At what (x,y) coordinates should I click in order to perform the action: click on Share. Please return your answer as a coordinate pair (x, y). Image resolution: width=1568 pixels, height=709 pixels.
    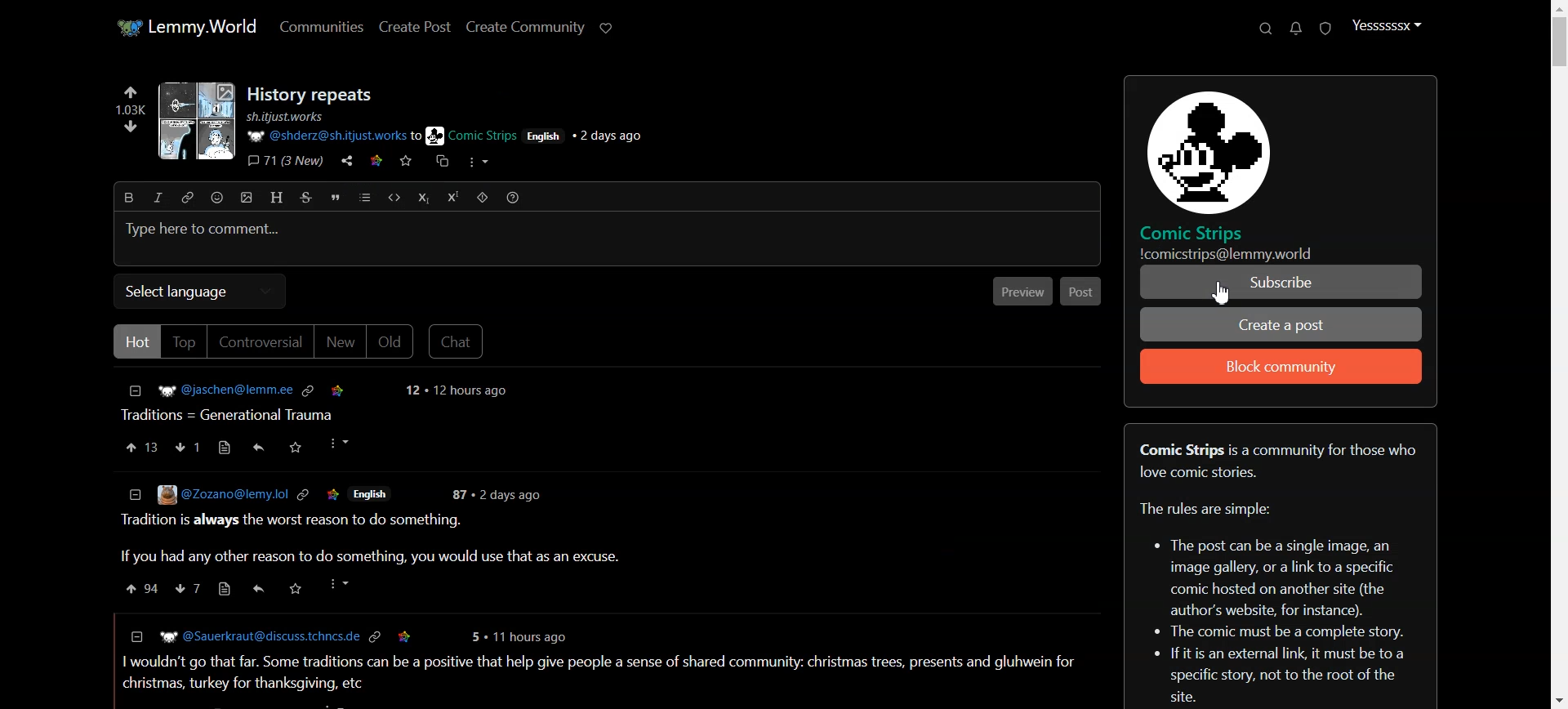
    Looking at the image, I should click on (258, 445).